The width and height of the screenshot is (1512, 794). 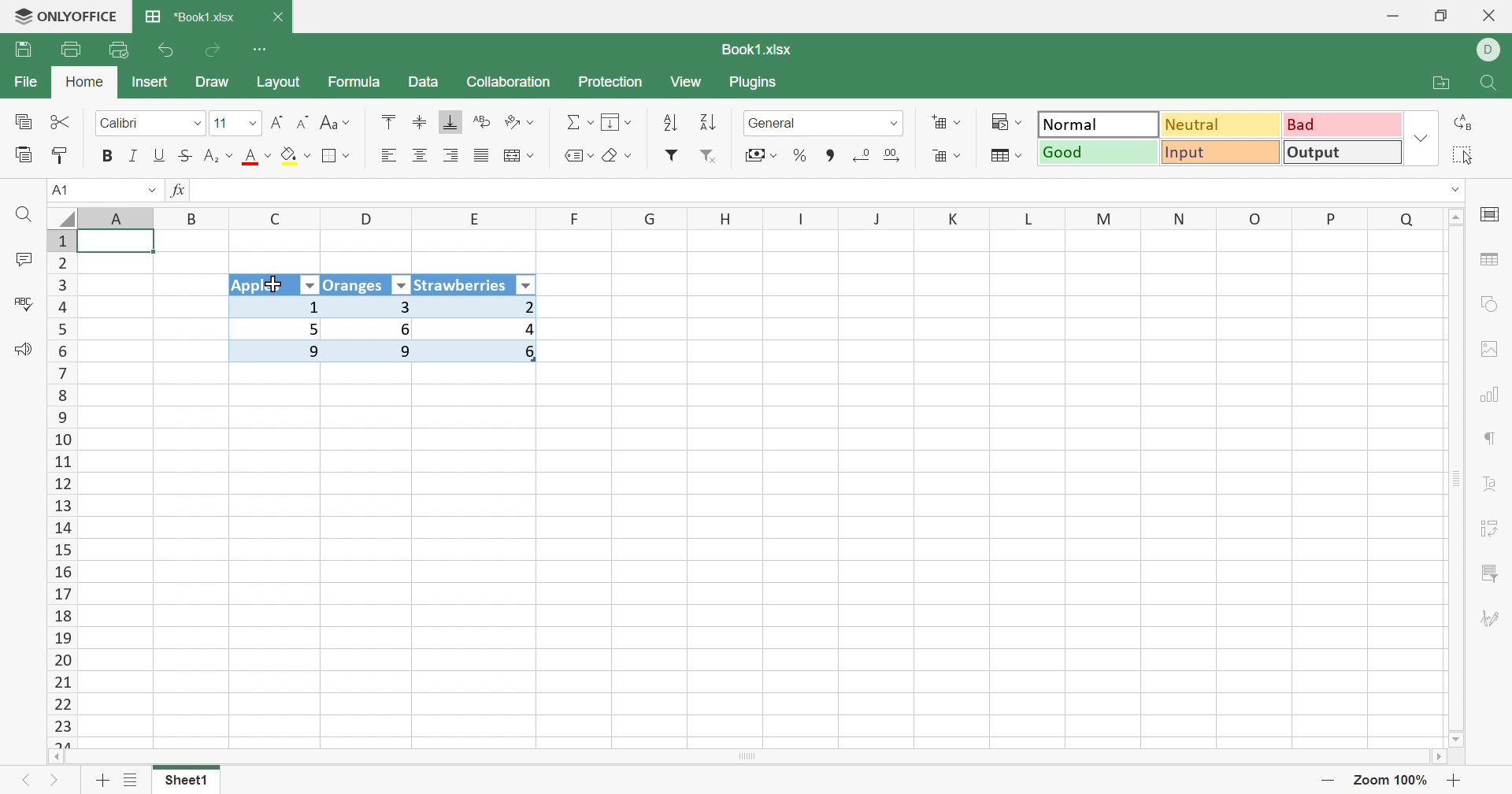 I want to click on Previous, so click(x=24, y=784).